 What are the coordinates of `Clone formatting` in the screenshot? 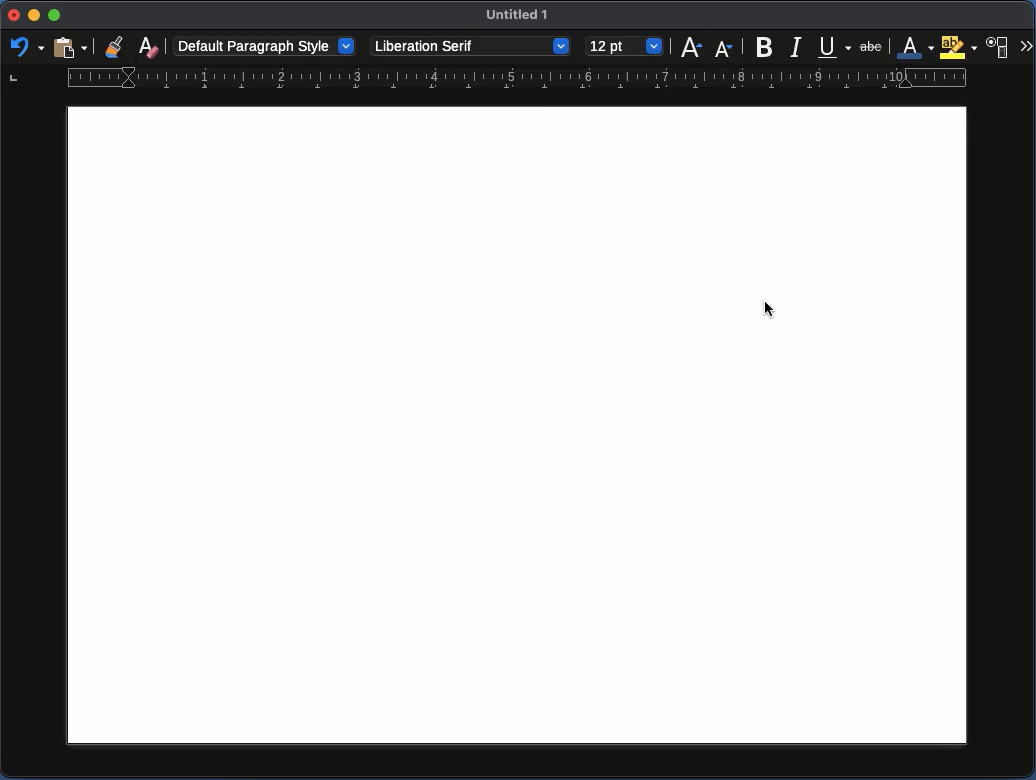 It's located at (117, 47).